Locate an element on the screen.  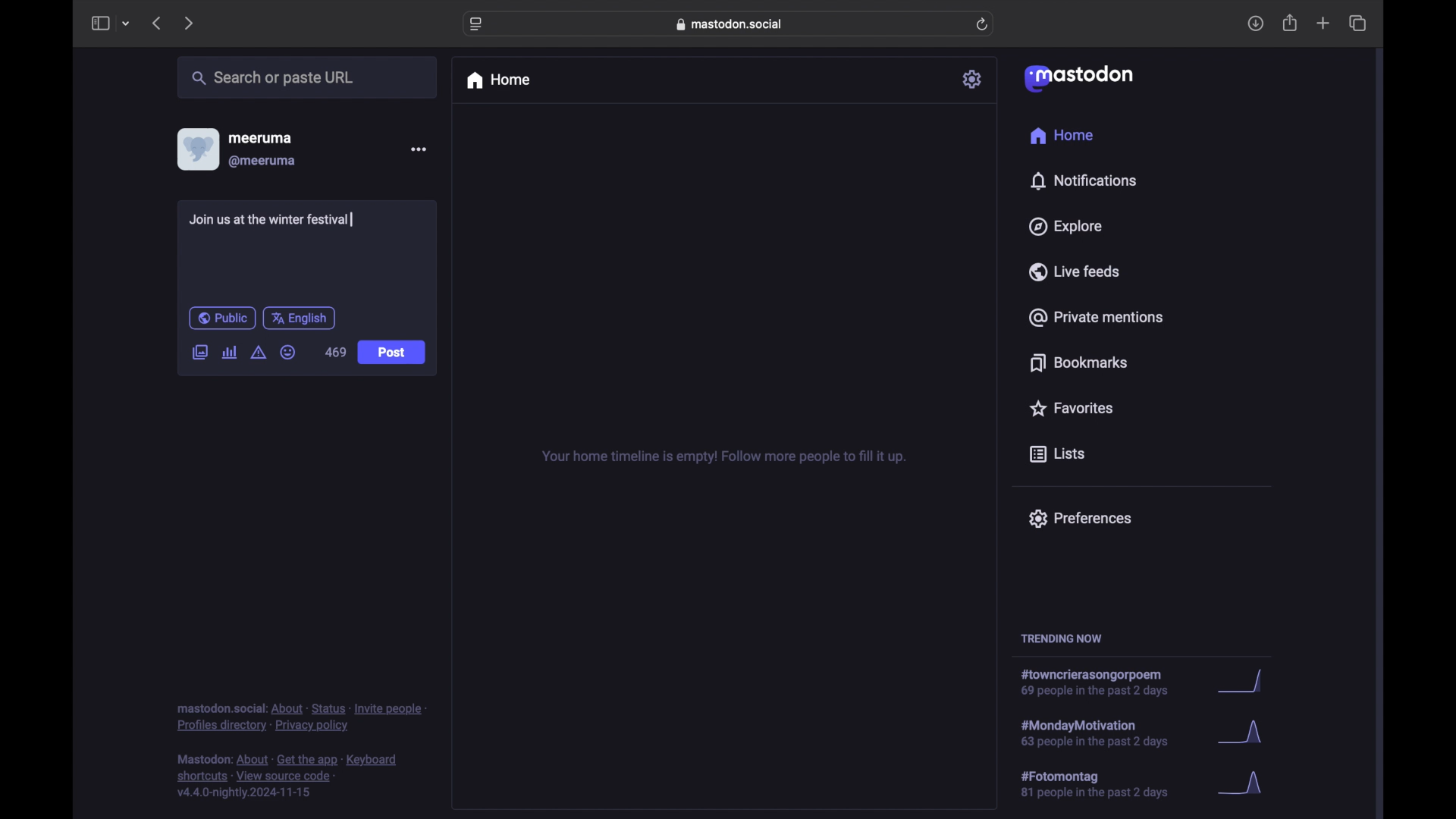
meeruma is located at coordinates (260, 137).